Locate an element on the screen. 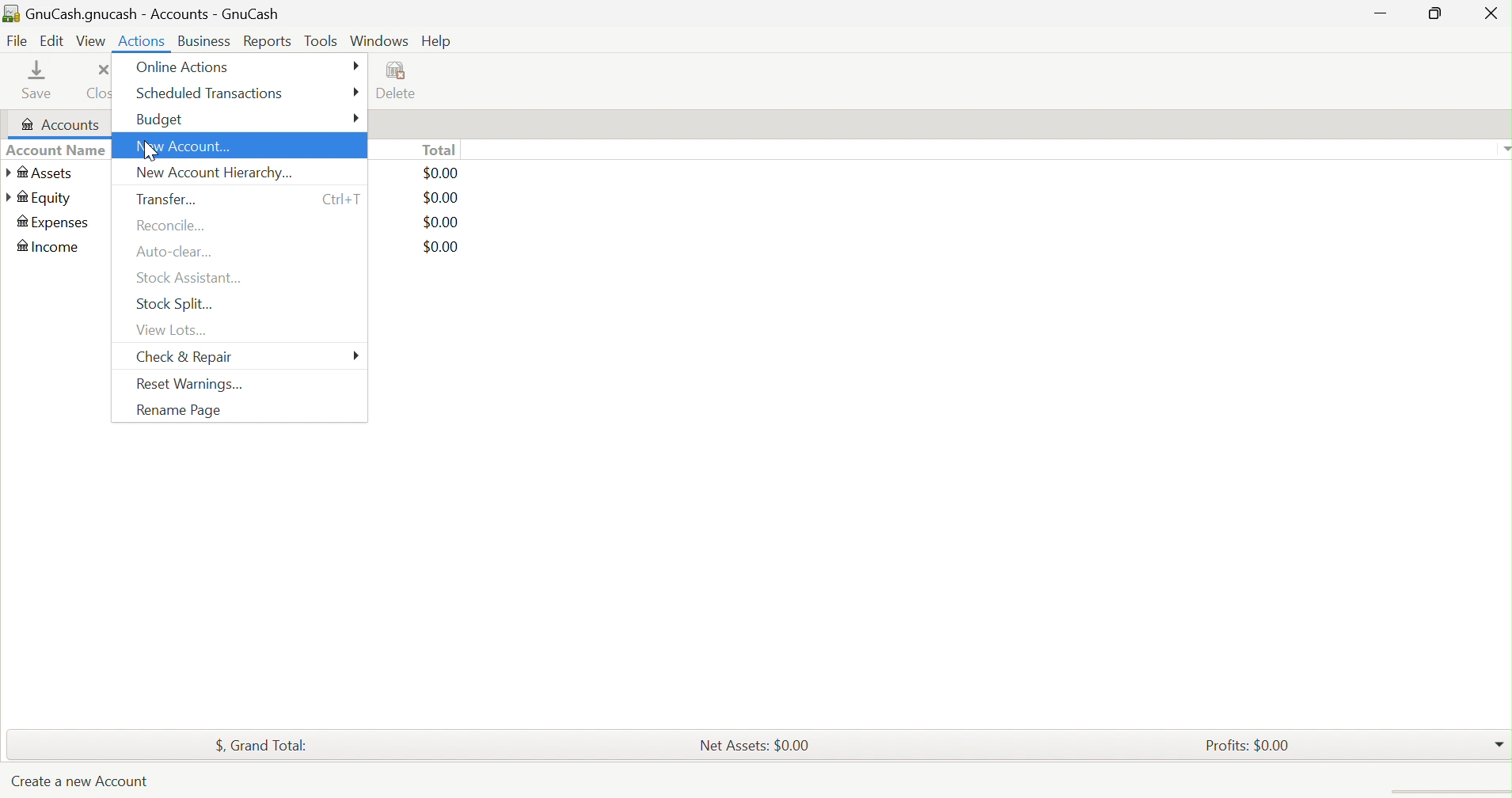 Image resolution: width=1512 pixels, height=798 pixels. Reset Warnings... is located at coordinates (188, 386).